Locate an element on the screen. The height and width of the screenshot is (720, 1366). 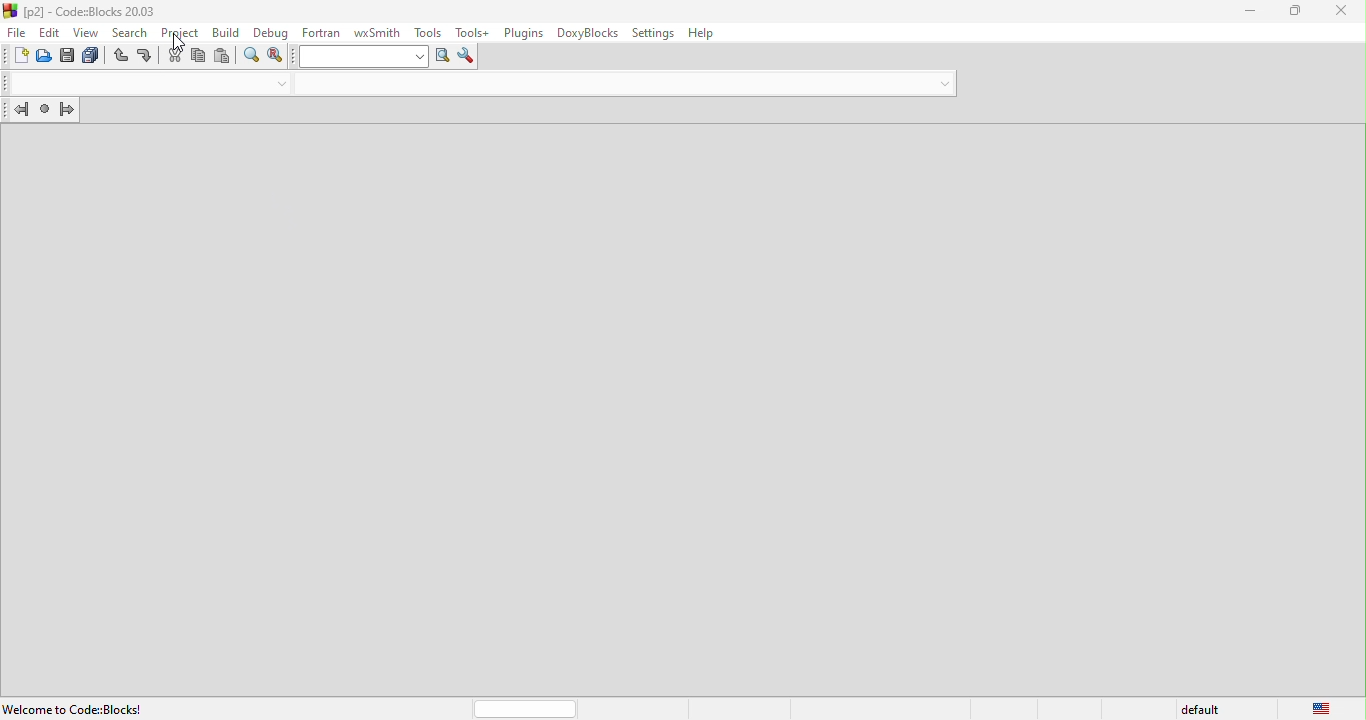
save is located at coordinates (69, 57).